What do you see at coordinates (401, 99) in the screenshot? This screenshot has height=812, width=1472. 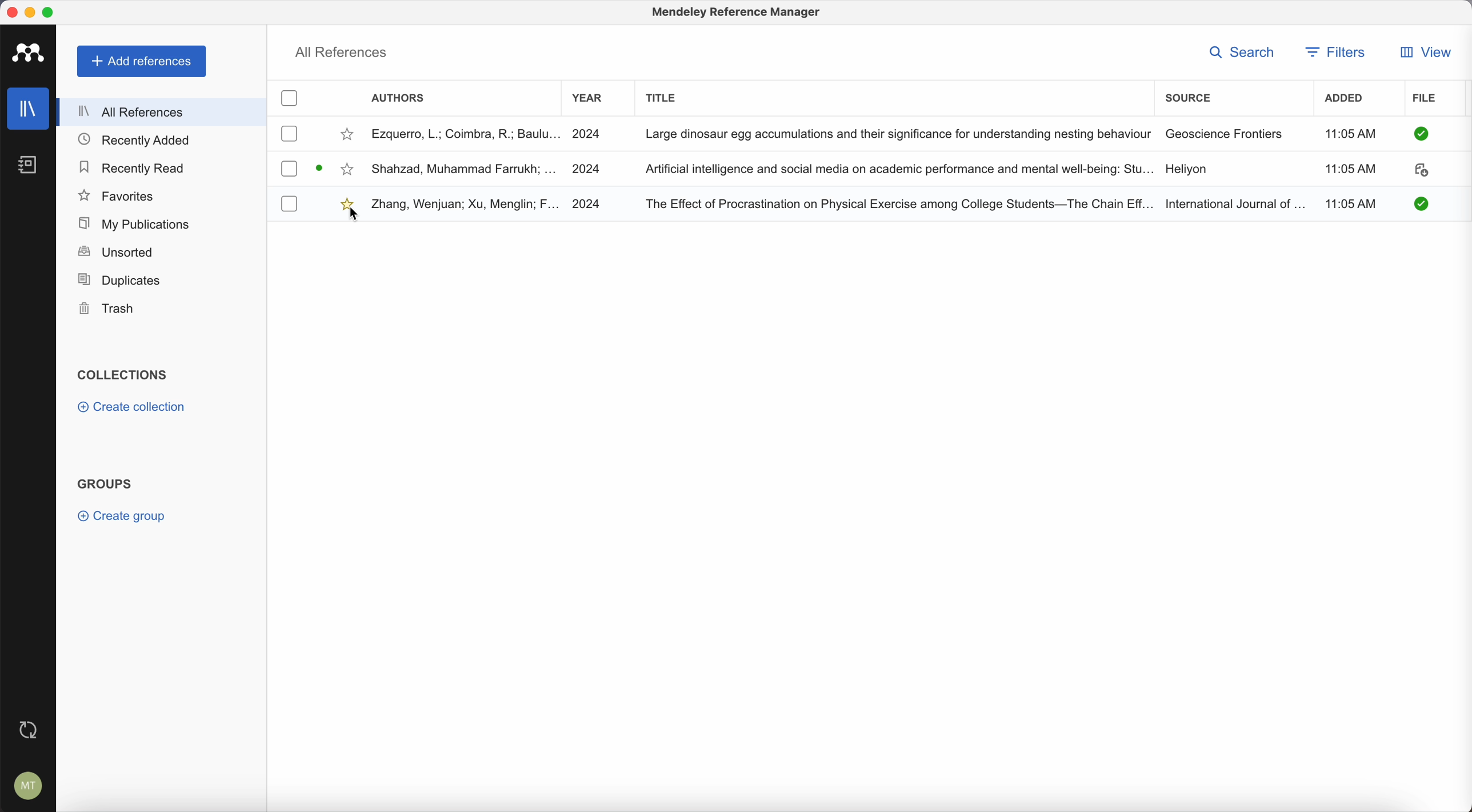 I see `authors` at bounding box center [401, 99].